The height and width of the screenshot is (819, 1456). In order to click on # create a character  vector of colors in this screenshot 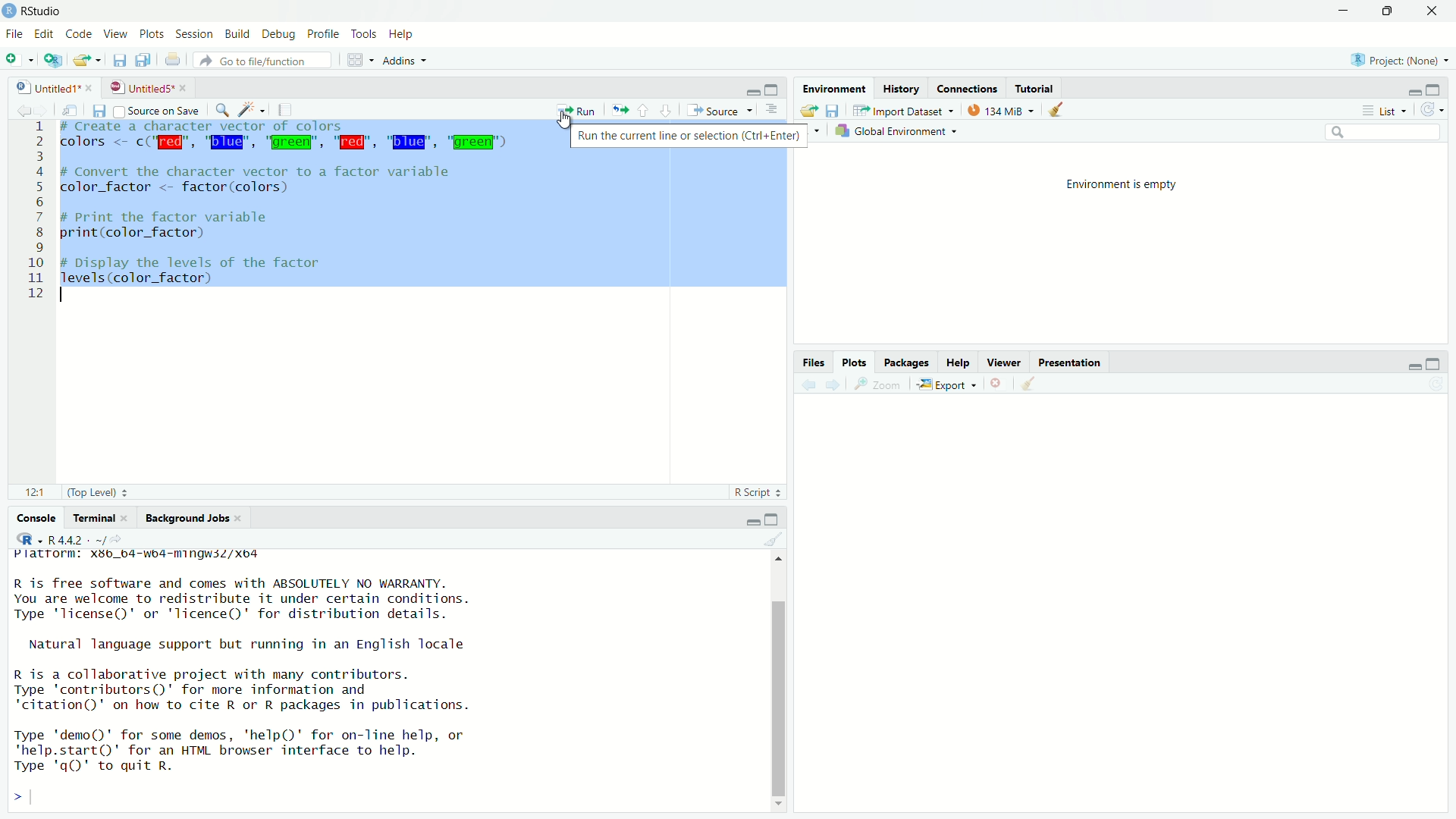, I will do `click(229, 127)`.